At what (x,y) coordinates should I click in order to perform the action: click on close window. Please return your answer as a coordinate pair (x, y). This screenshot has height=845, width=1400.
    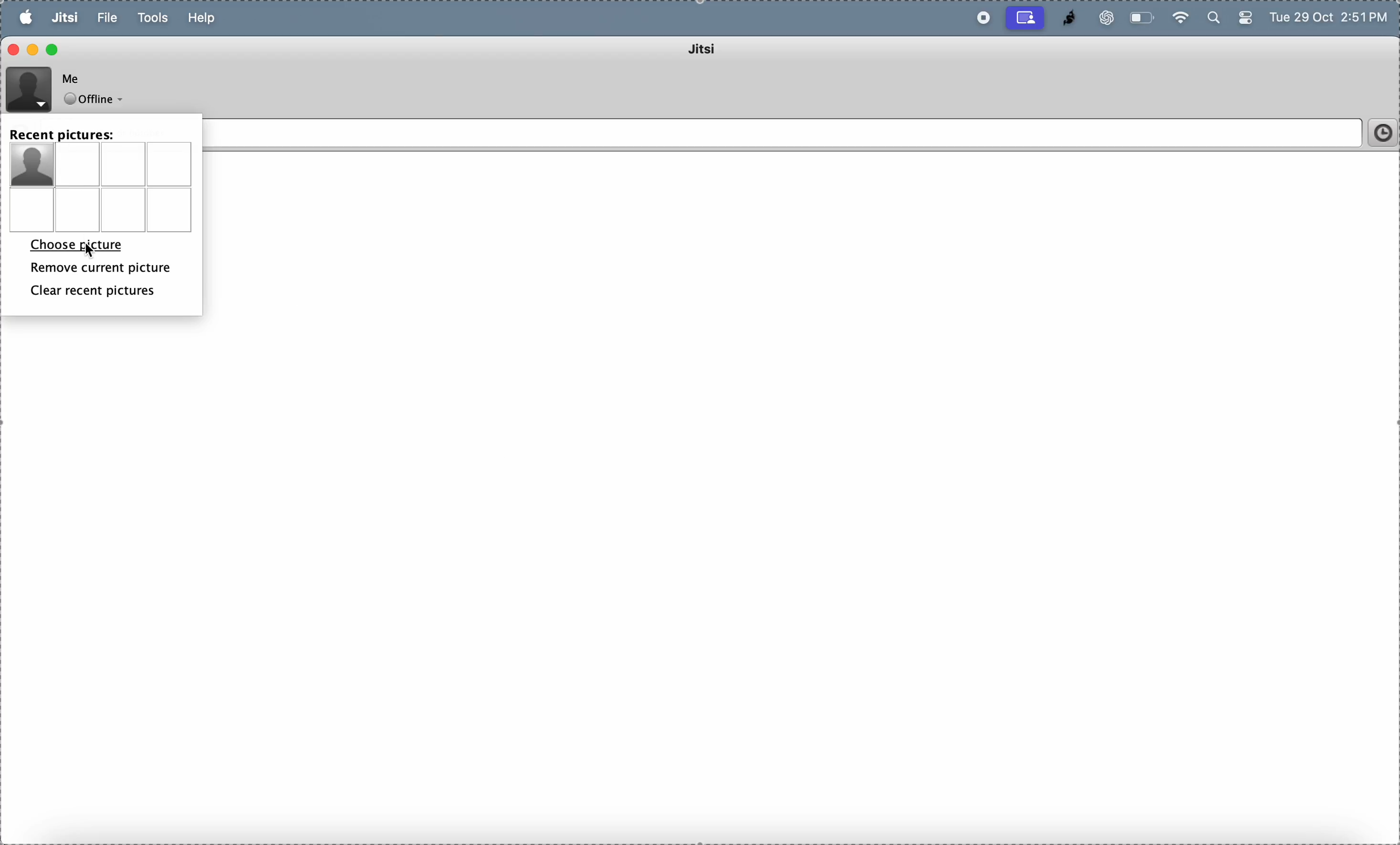
    Looking at the image, I should click on (14, 51).